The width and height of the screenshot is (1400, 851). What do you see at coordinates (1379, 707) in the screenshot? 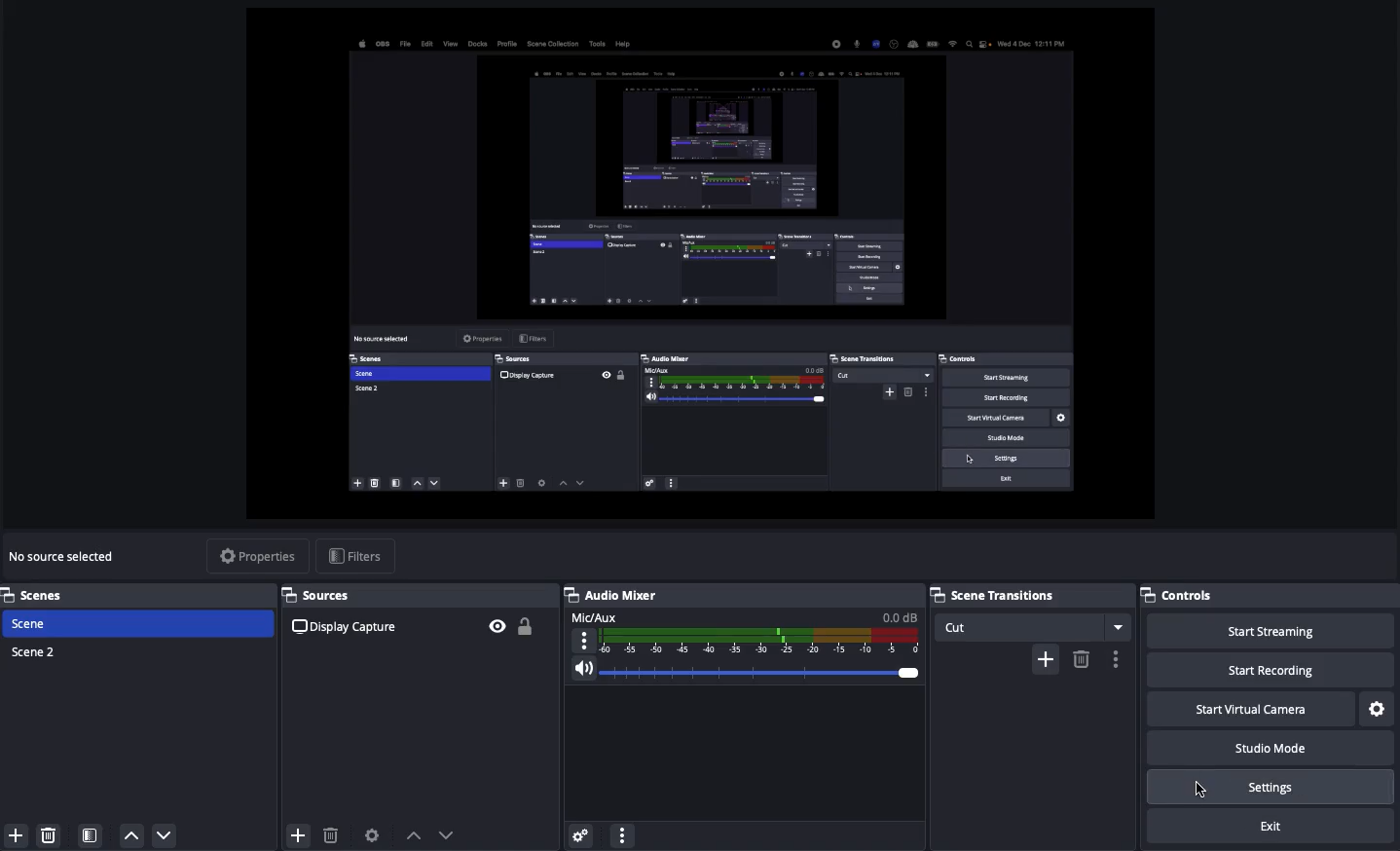
I see `Settings` at bounding box center [1379, 707].